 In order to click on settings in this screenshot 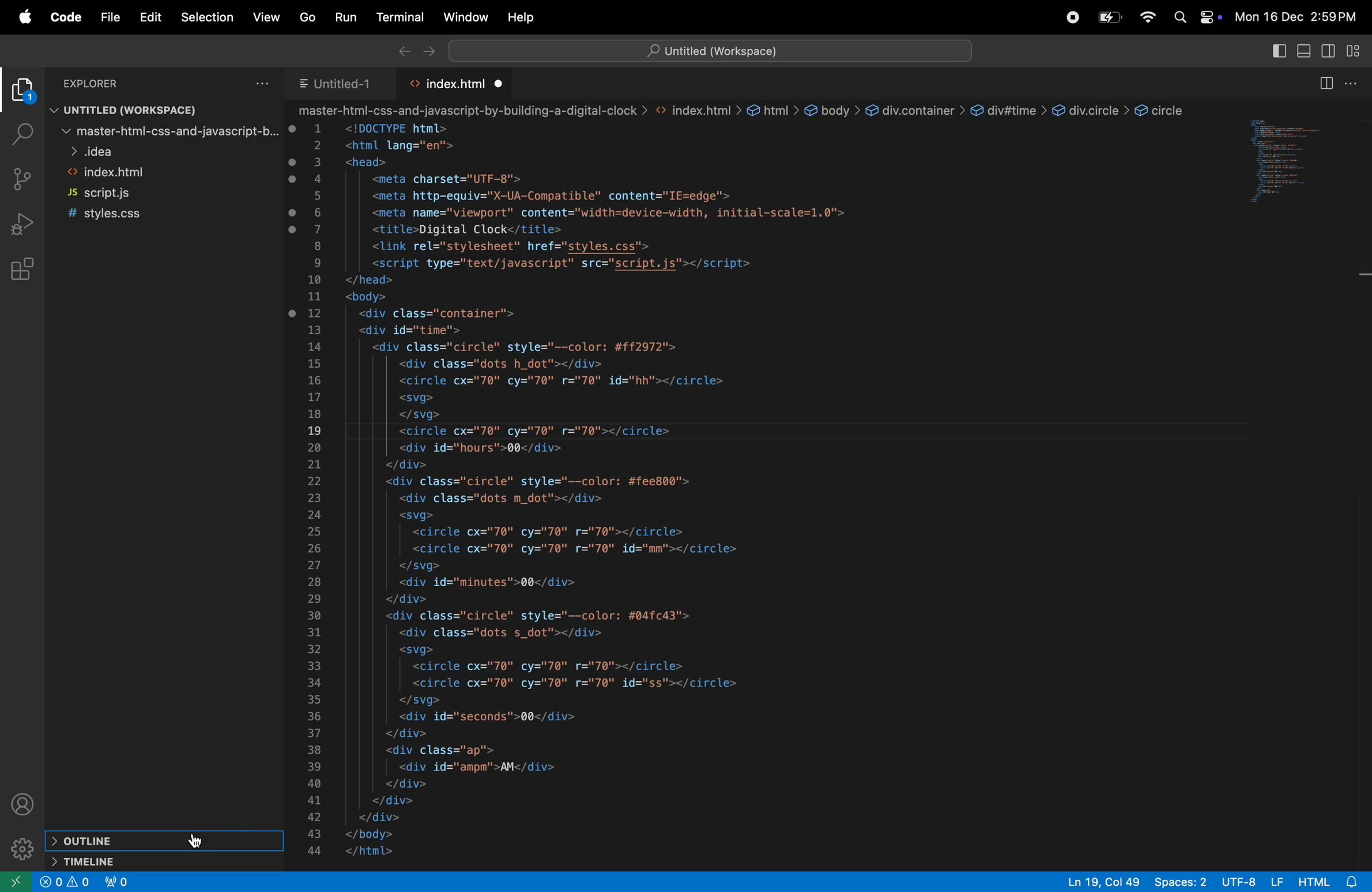, I will do `click(19, 851)`.